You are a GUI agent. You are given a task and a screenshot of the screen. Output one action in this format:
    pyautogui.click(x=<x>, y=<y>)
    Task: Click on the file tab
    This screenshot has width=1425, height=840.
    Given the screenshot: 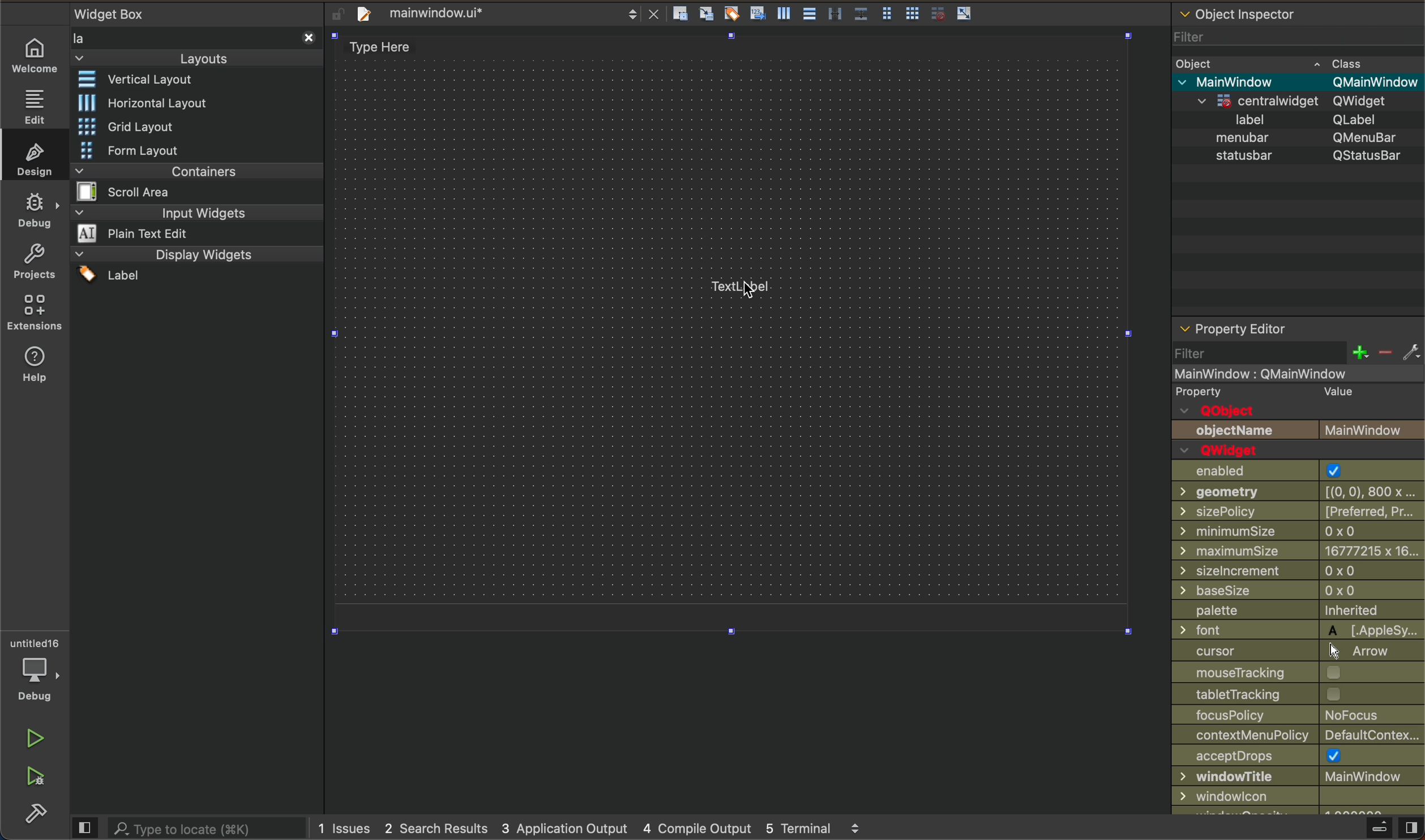 What is the action you would take?
    pyautogui.click(x=508, y=12)
    